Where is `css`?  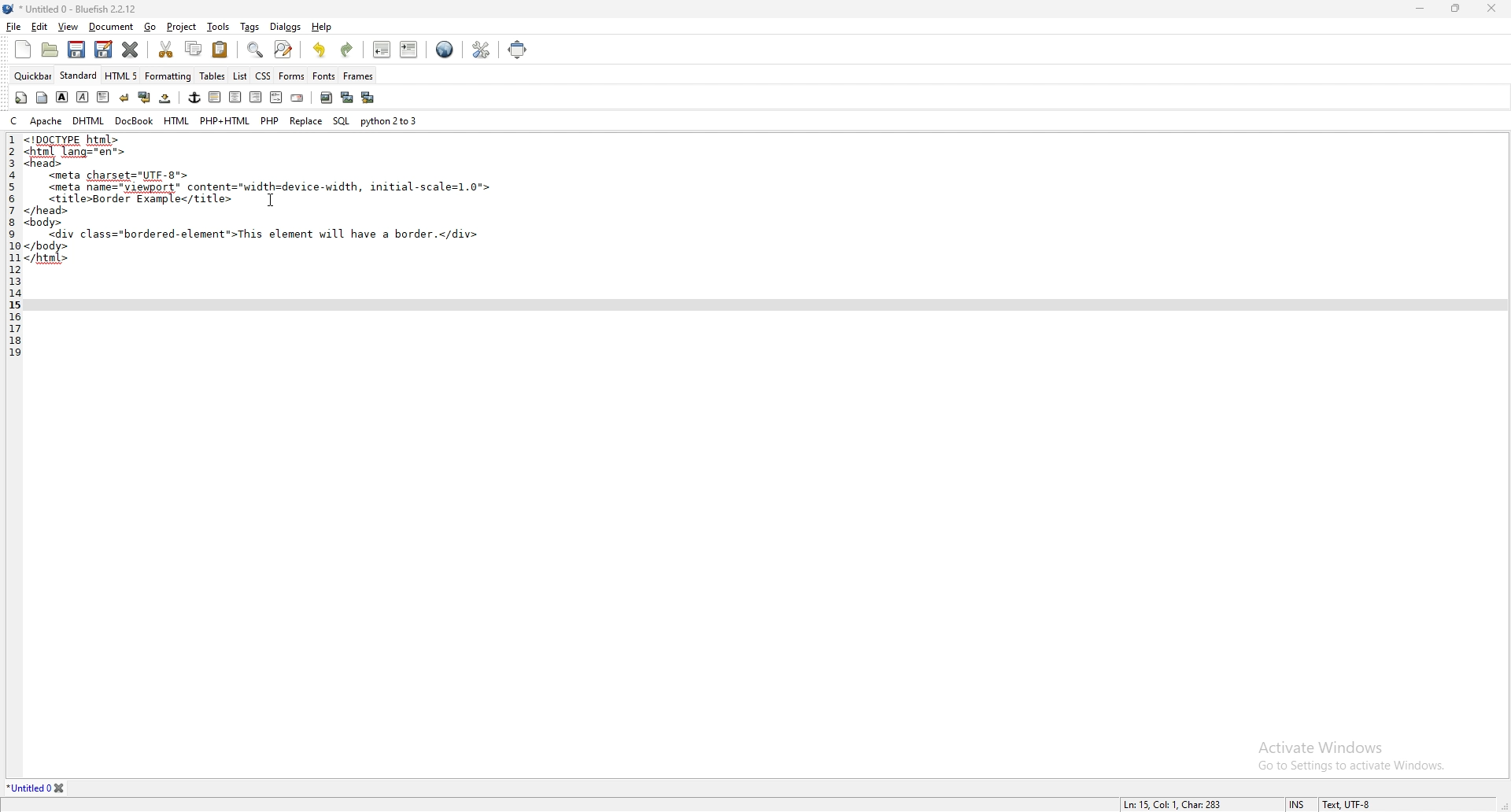
css is located at coordinates (264, 76).